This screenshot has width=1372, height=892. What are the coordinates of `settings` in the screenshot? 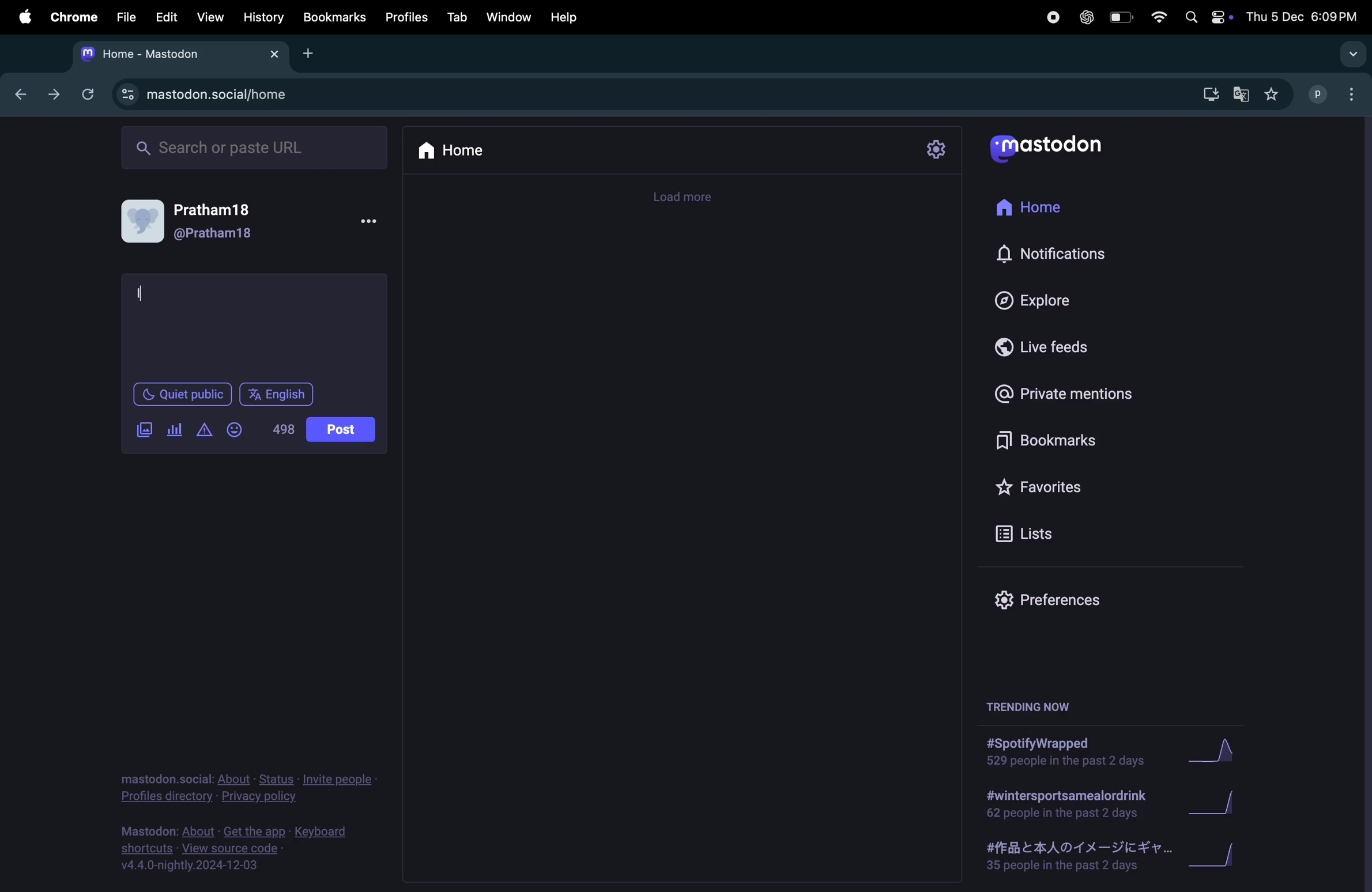 It's located at (935, 151).